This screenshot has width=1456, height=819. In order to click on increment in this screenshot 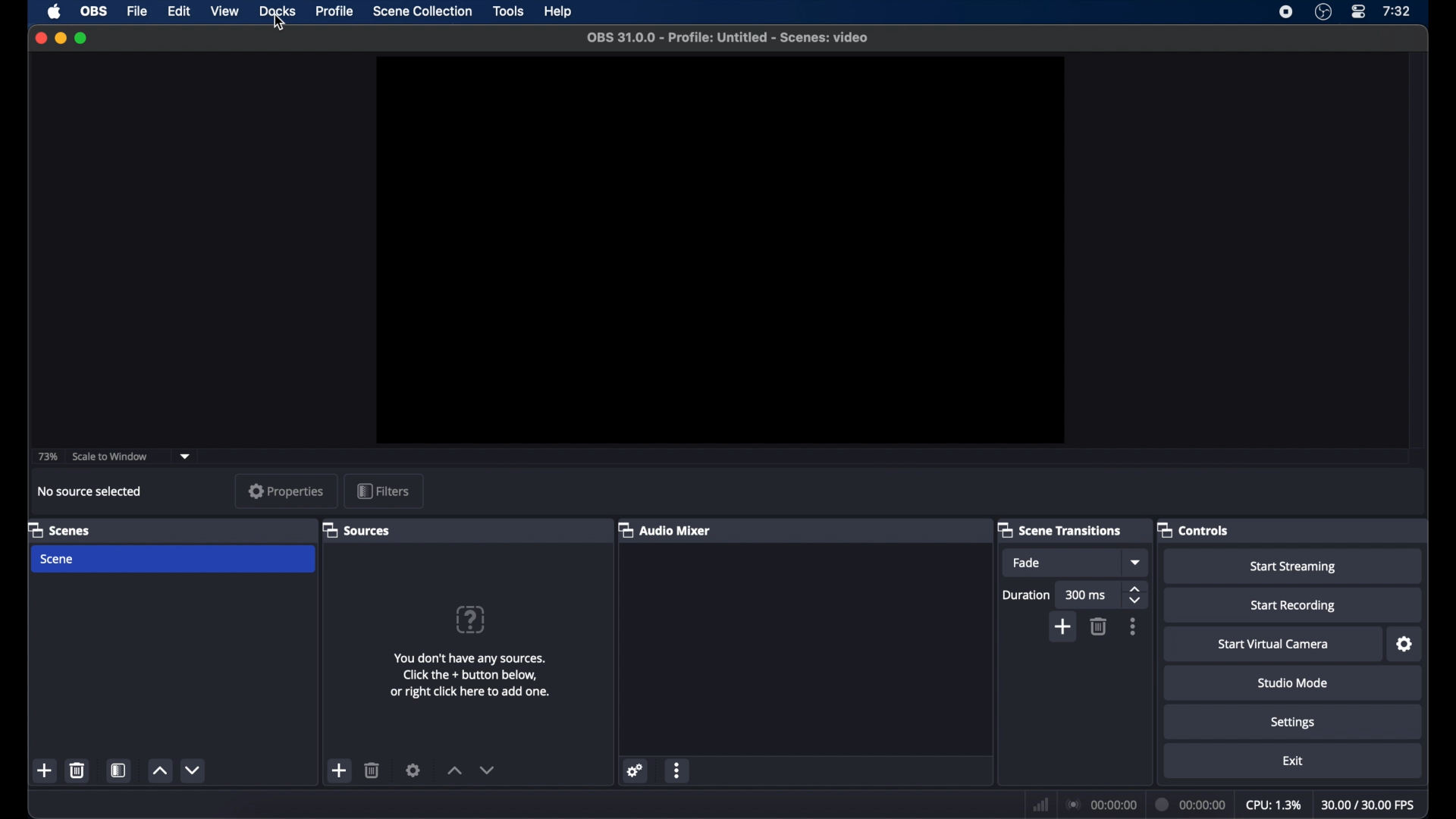, I will do `click(159, 771)`.